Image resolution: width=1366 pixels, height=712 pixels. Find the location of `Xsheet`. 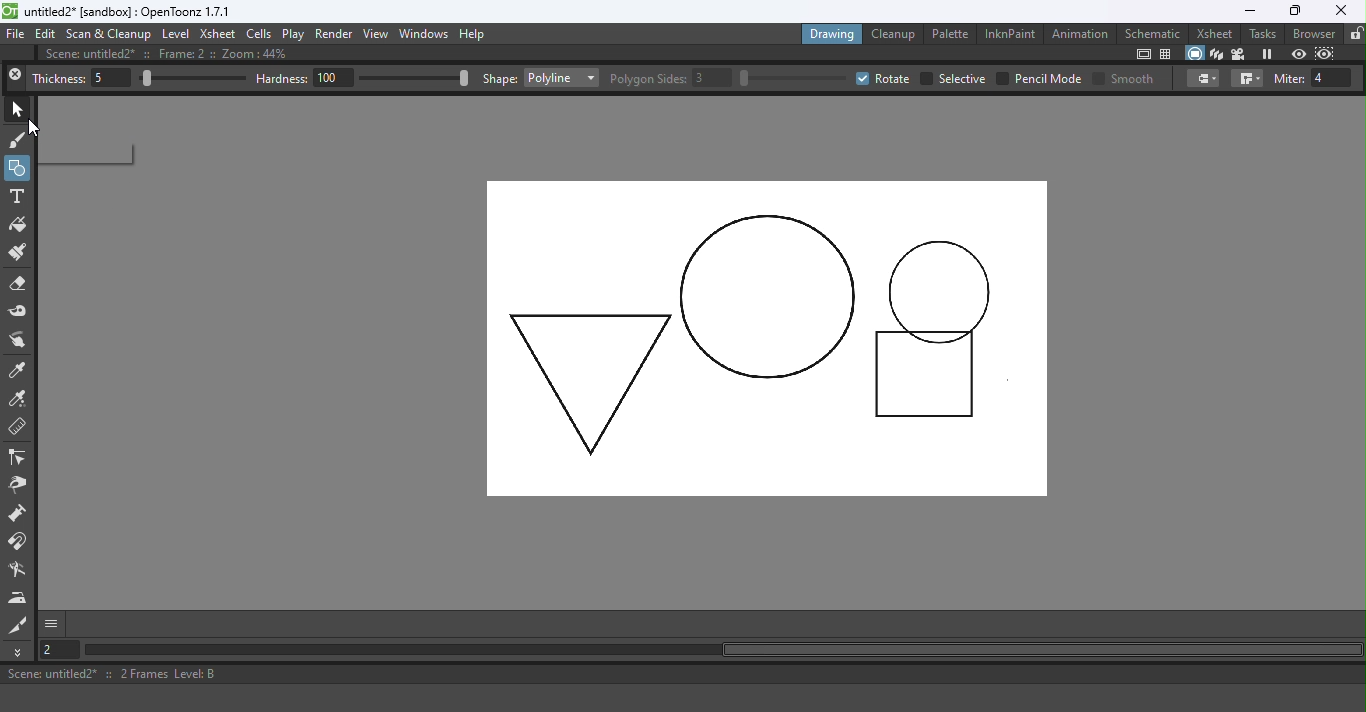

Xsheet is located at coordinates (1213, 33).